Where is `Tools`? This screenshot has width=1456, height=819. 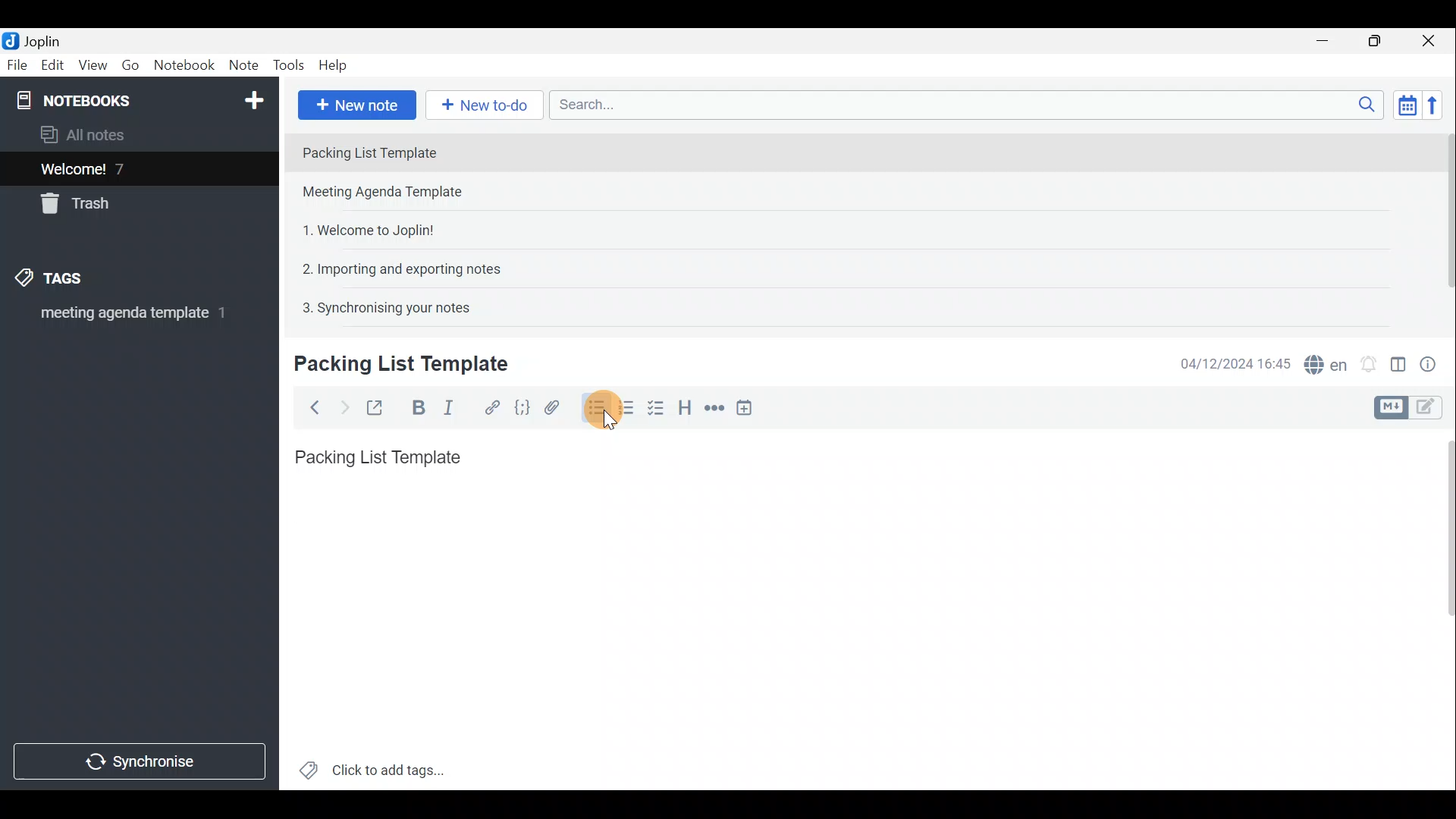 Tools is located at coordinates (290, 66).